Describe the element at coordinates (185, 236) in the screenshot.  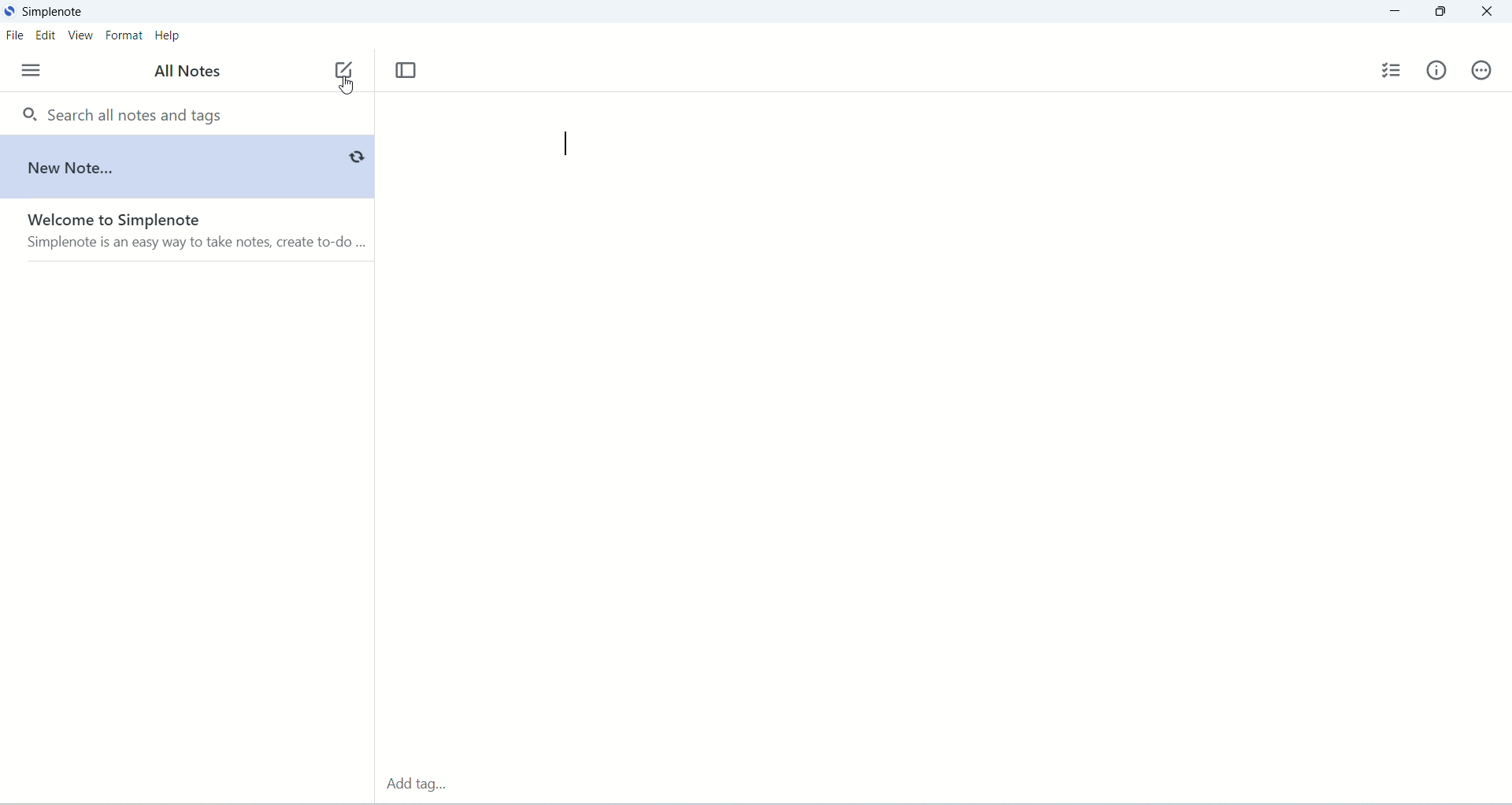
I see `welcome to Simplenote` at that location.